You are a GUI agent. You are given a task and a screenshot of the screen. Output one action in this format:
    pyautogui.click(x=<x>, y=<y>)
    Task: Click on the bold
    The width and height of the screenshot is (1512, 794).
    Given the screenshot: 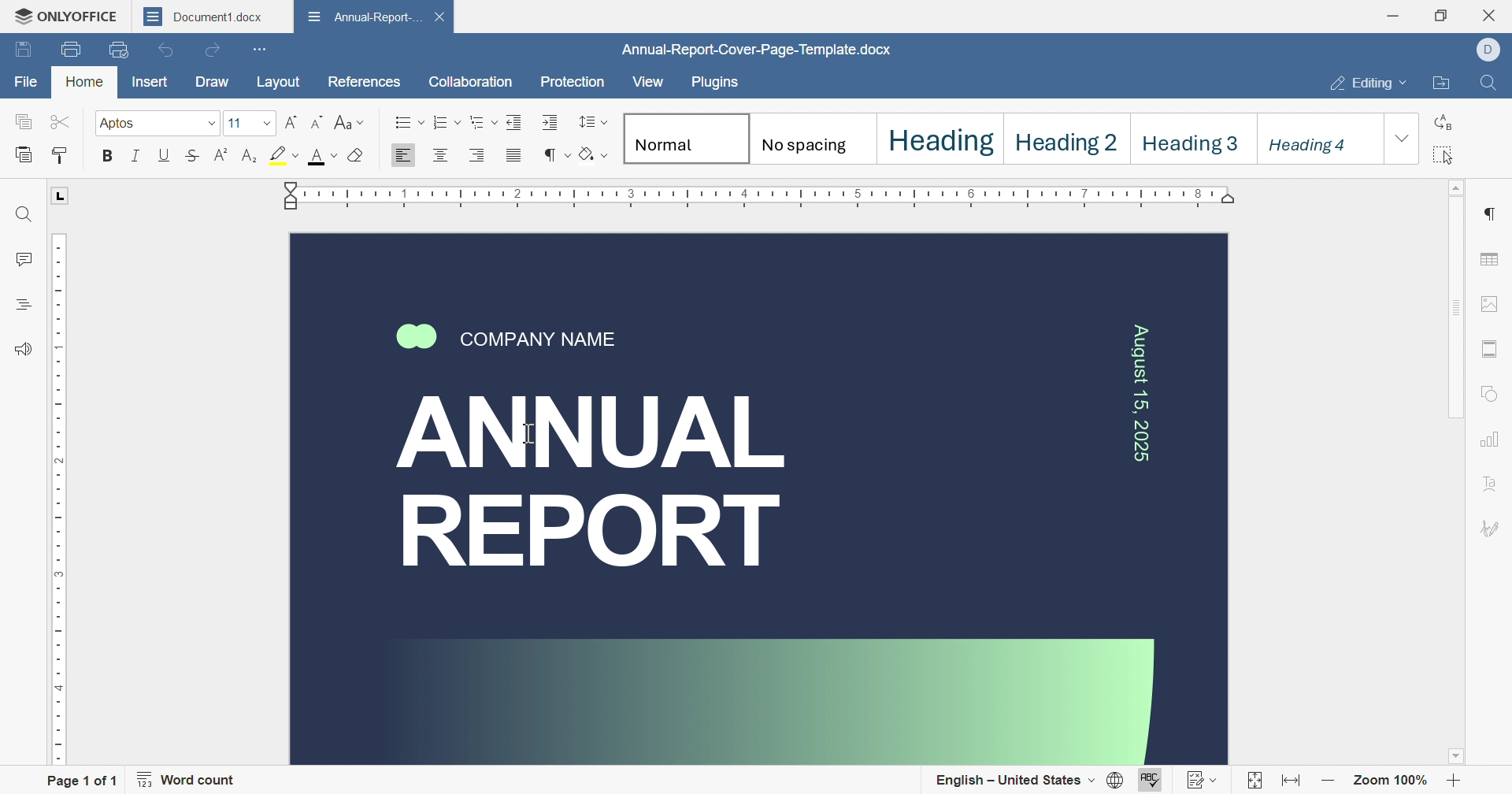 What is the action you would take?
    pyautogui.click(x=113, y=156)
    